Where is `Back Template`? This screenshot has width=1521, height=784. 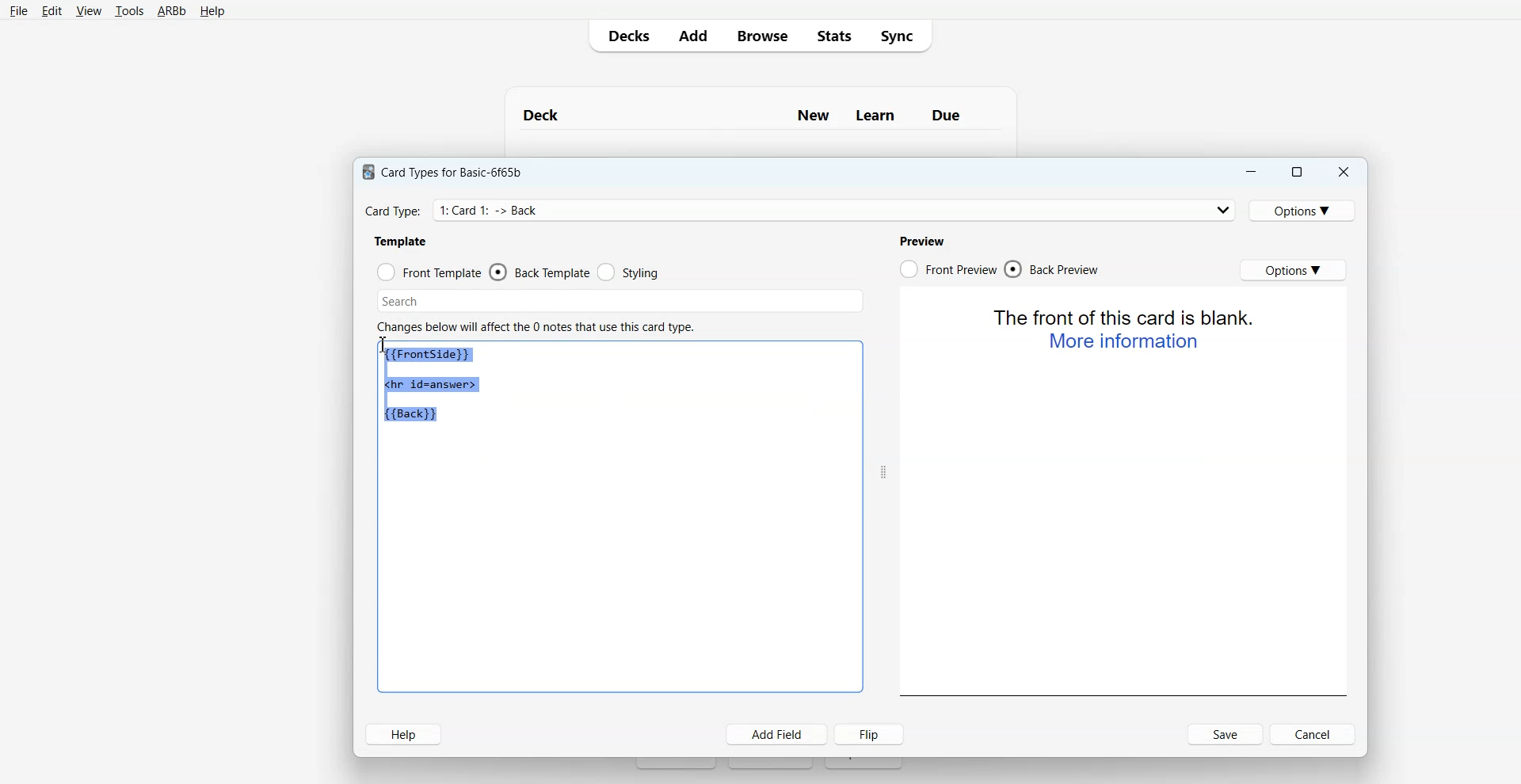
Back Template is located at coordinates (539, 272).